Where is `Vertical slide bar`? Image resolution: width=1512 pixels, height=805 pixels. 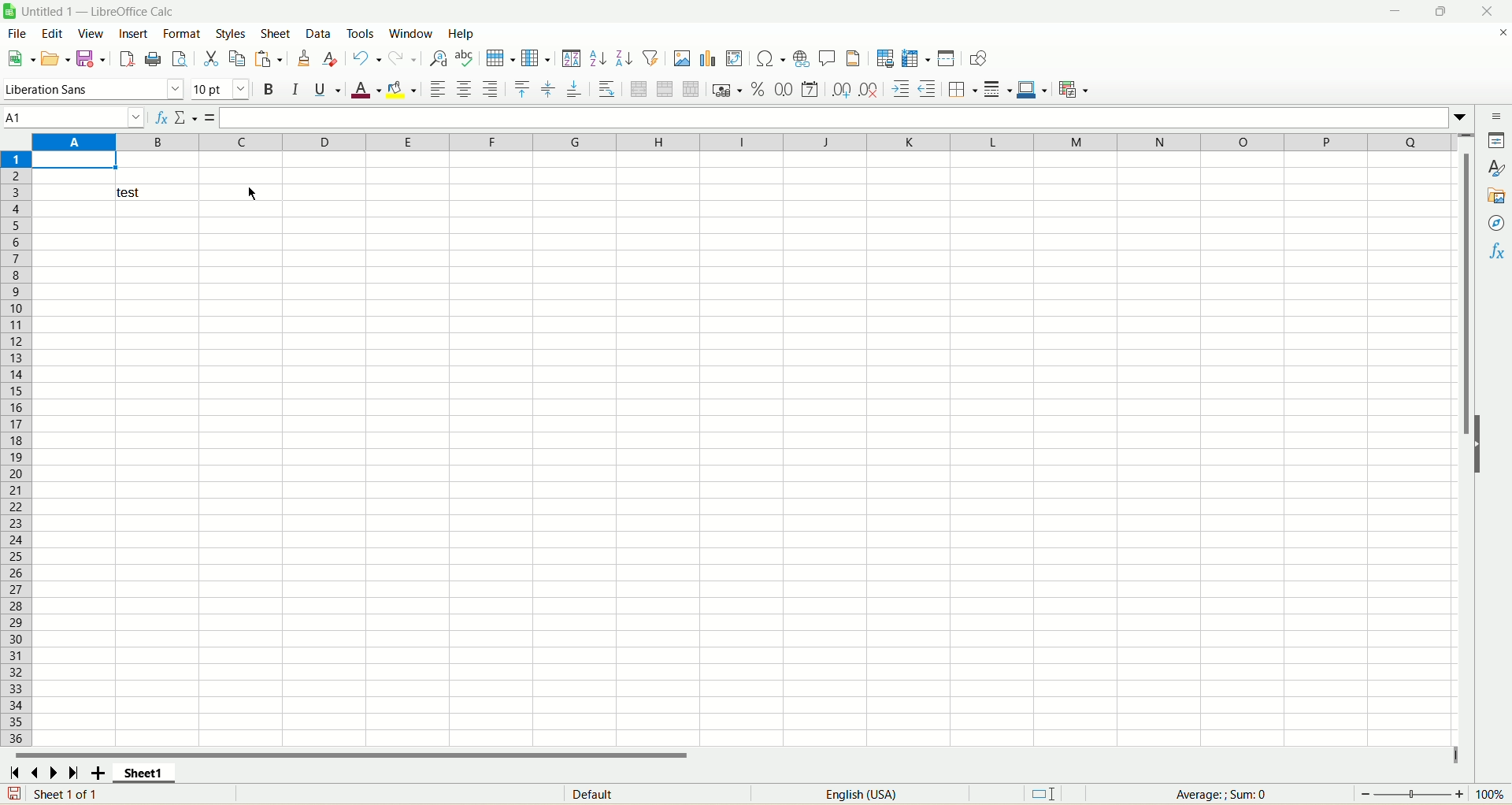 Vertical slide bar is located at coordinates (1465, 449).